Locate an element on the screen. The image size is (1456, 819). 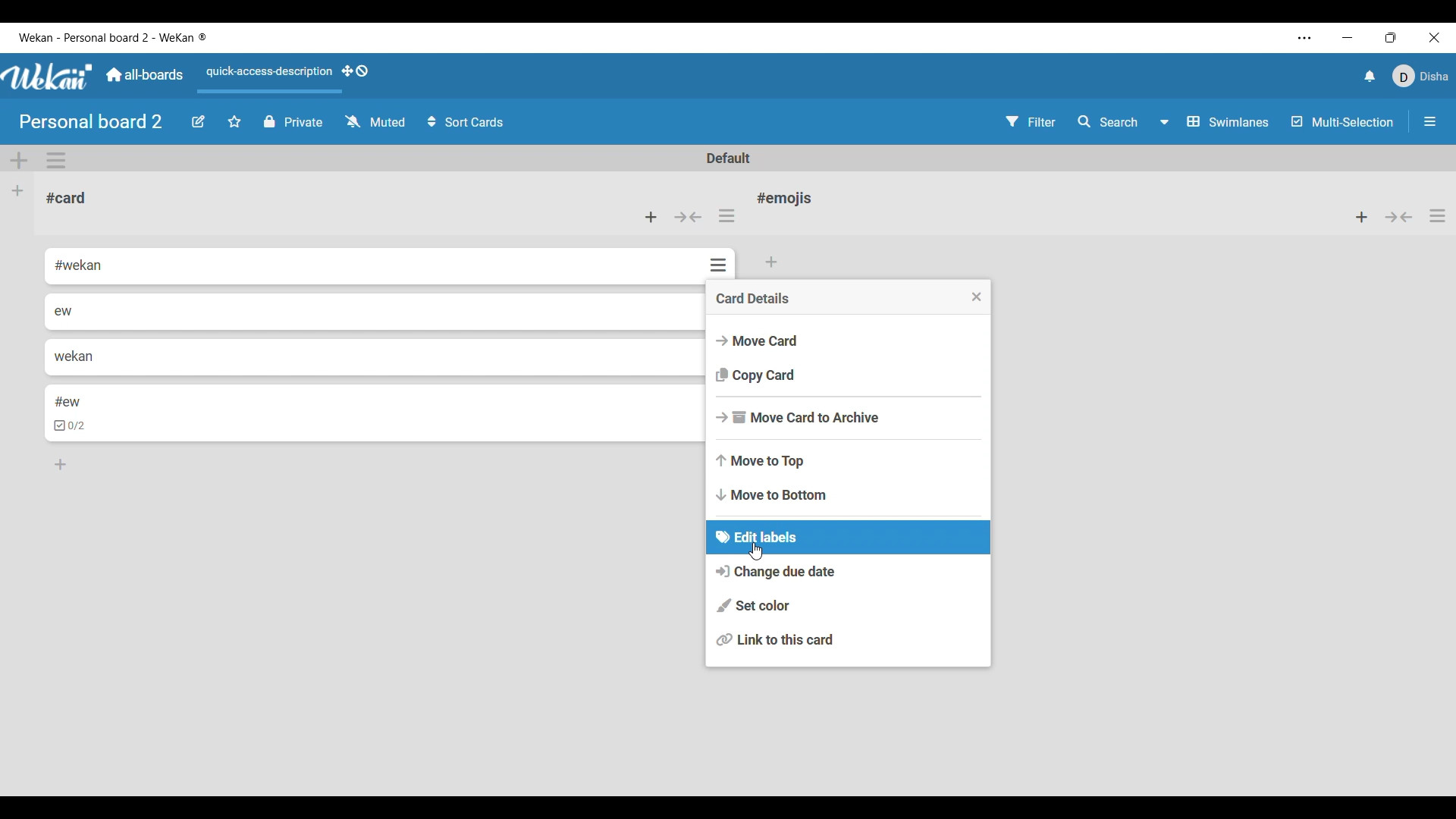
Change due date is located at coordinates (848, 571).